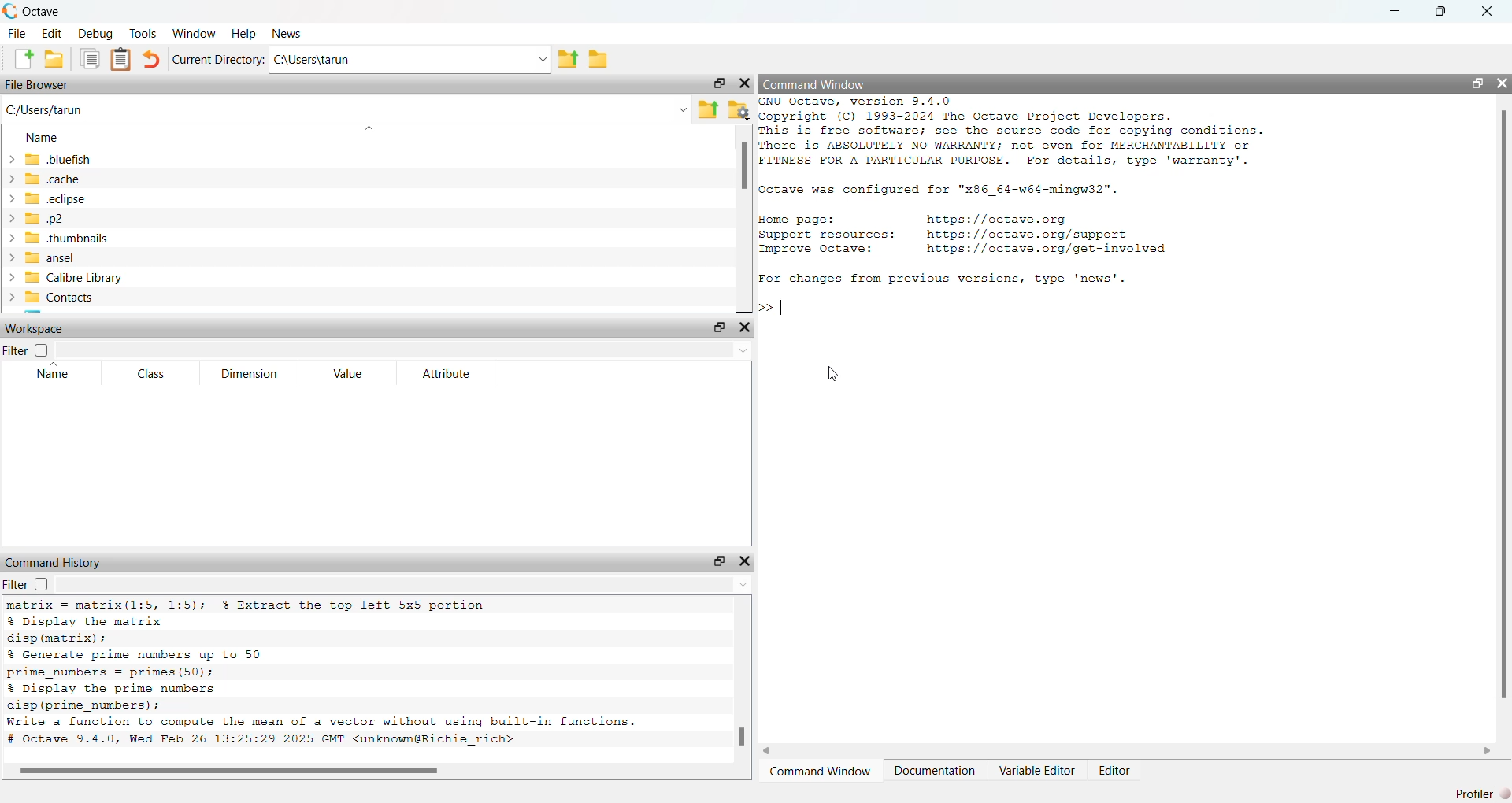 The height and width of the screenshot is (803, 1512). I want to click on workspace, so click(35, 328).